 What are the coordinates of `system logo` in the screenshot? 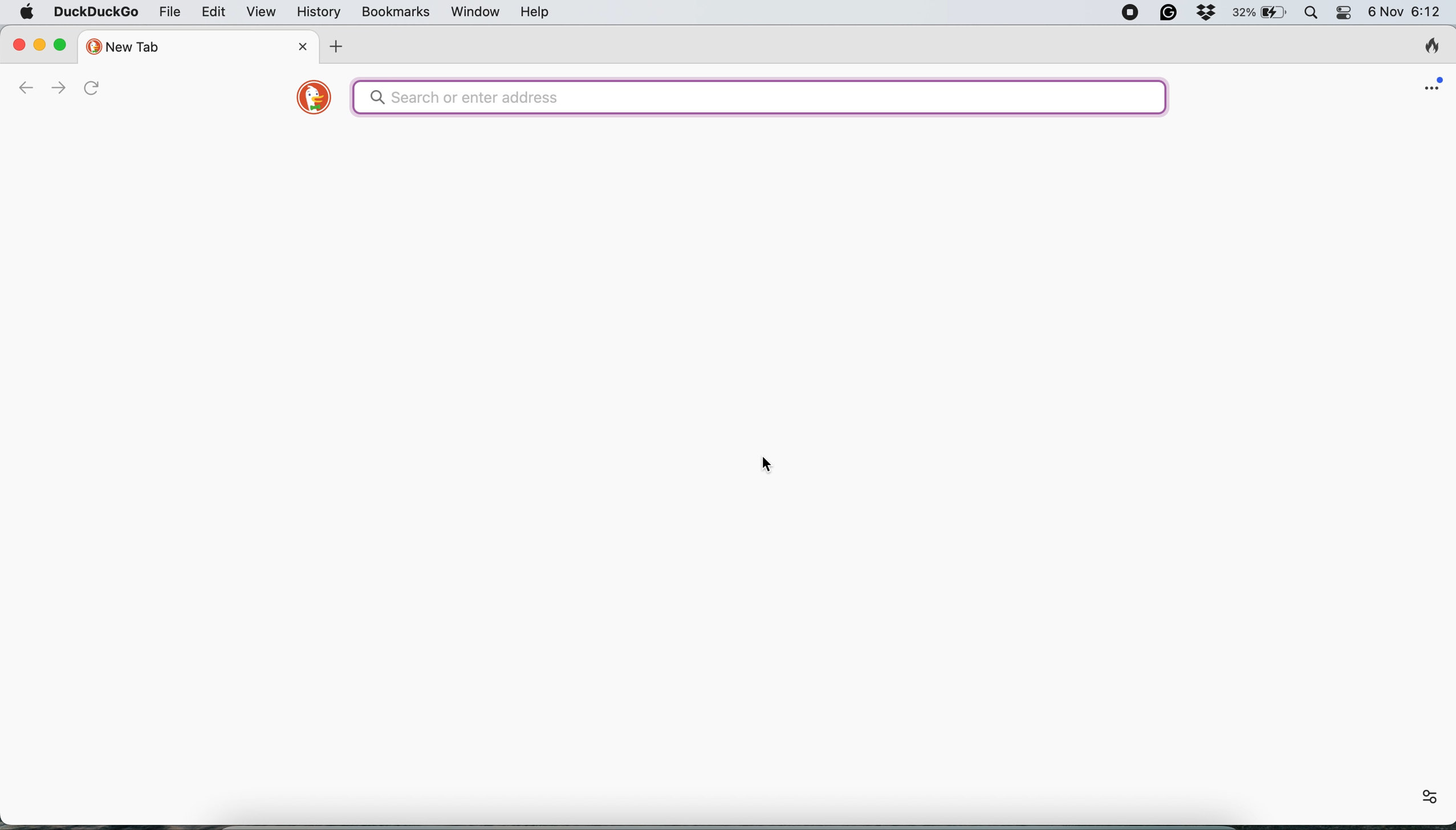 It's located at (26, 13).